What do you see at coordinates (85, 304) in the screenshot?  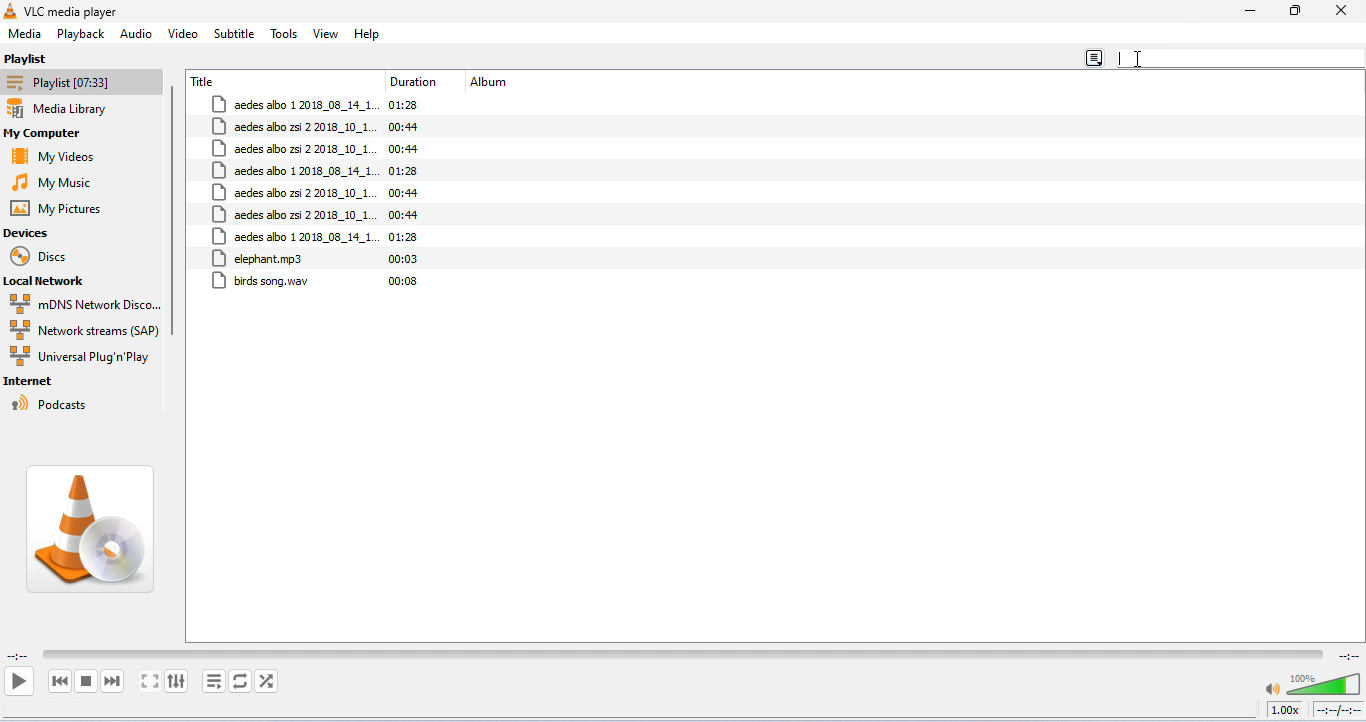 I see `mDNS network discovery` at bounding box center [85, 304].